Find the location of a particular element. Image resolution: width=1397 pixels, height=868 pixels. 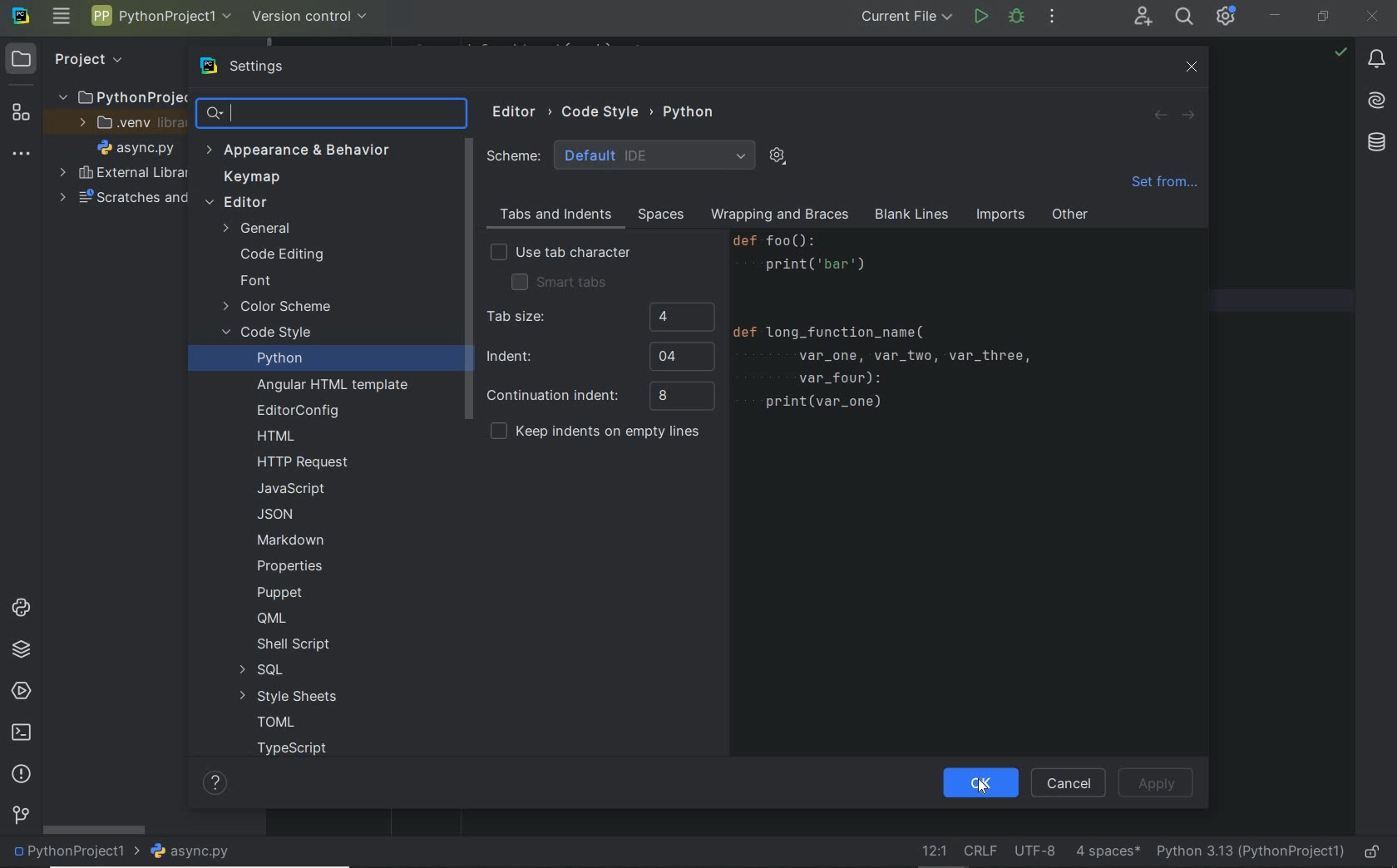

spaces is located at coordinates (658, 215).